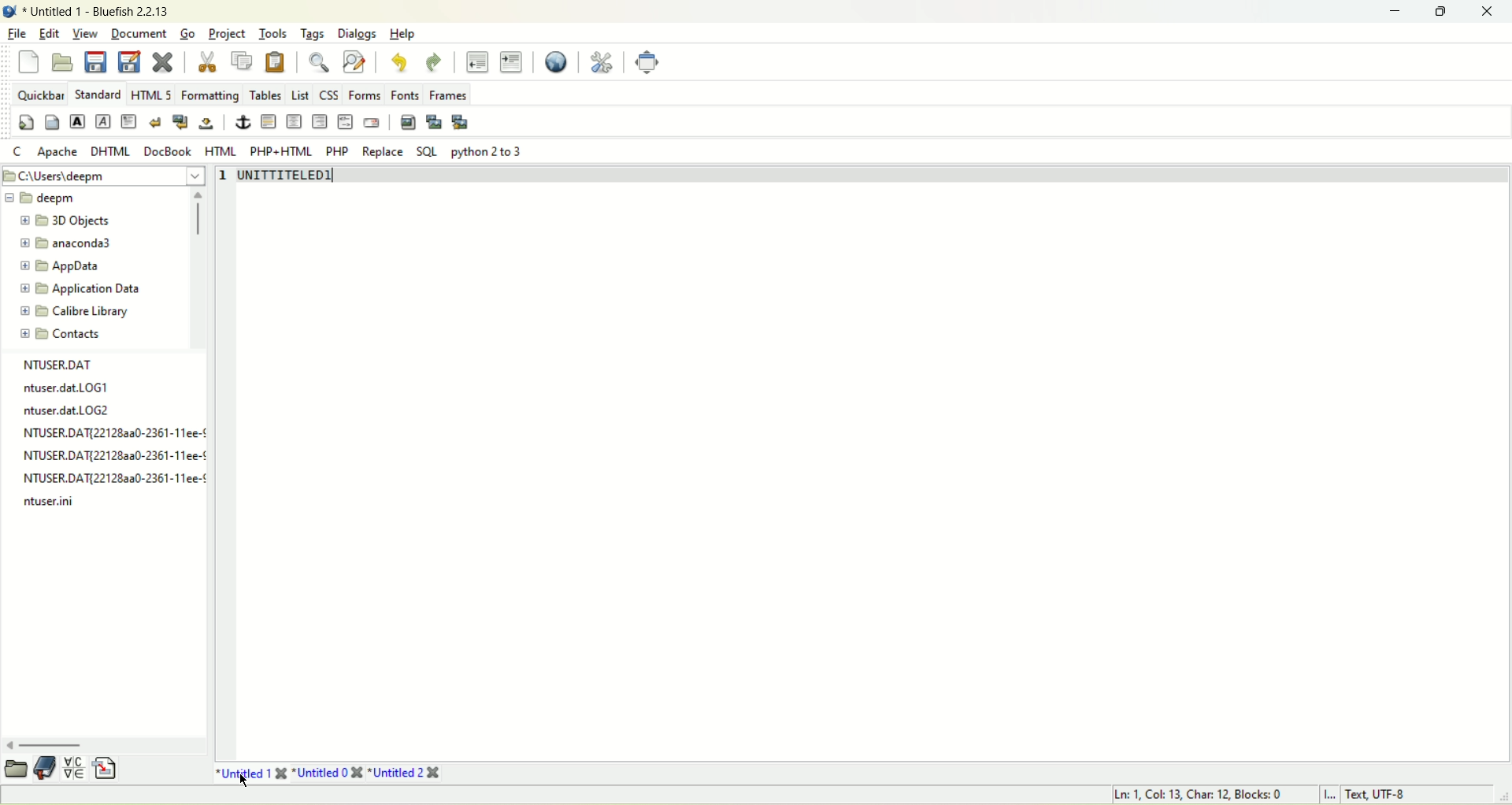 The image size is (1512, 805). Describe the element at coordinates (251, 770) in the screenshot. I see `untitled 1` at that location.